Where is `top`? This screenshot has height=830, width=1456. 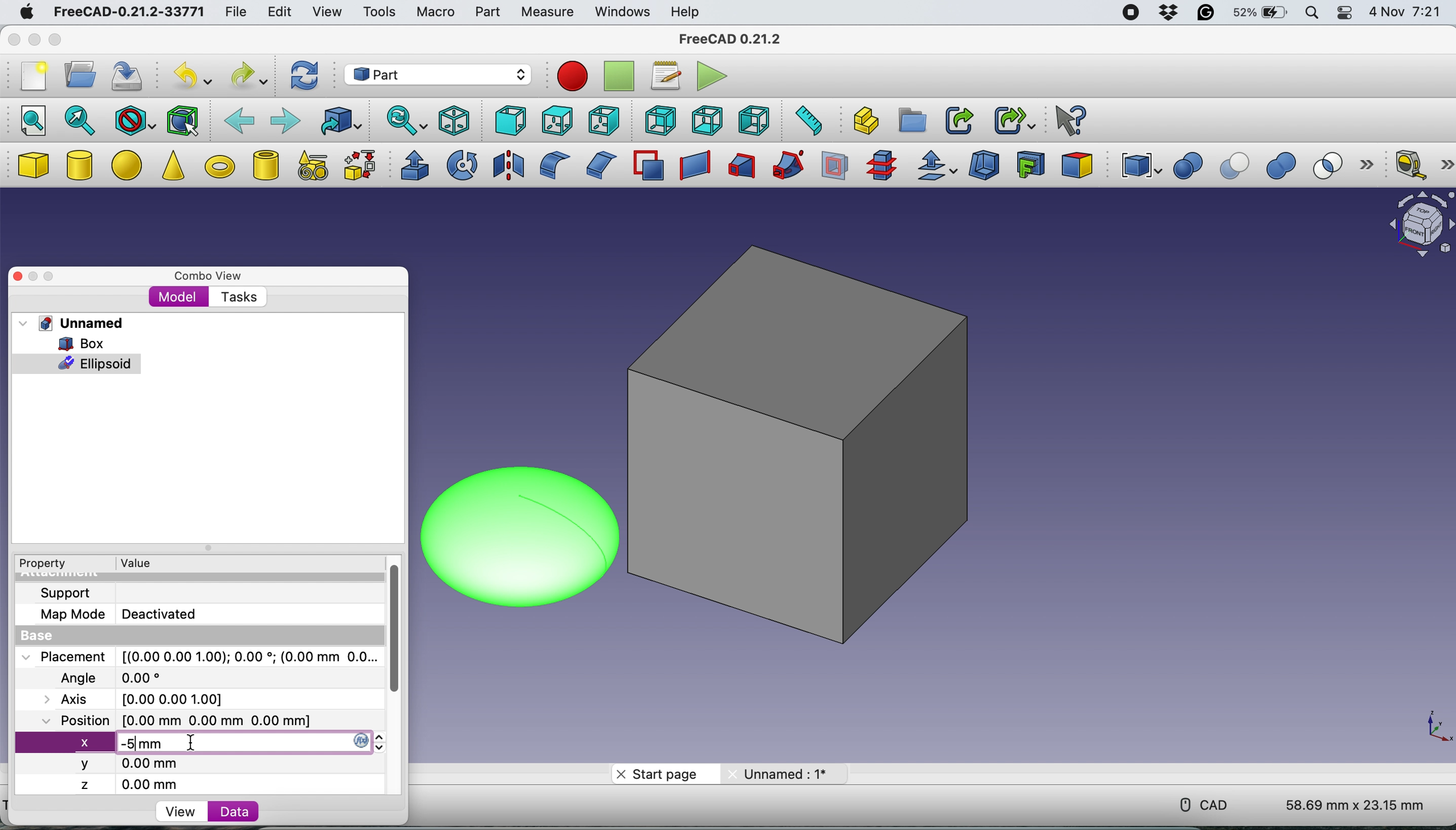
top is located at coordinates (555, 120).